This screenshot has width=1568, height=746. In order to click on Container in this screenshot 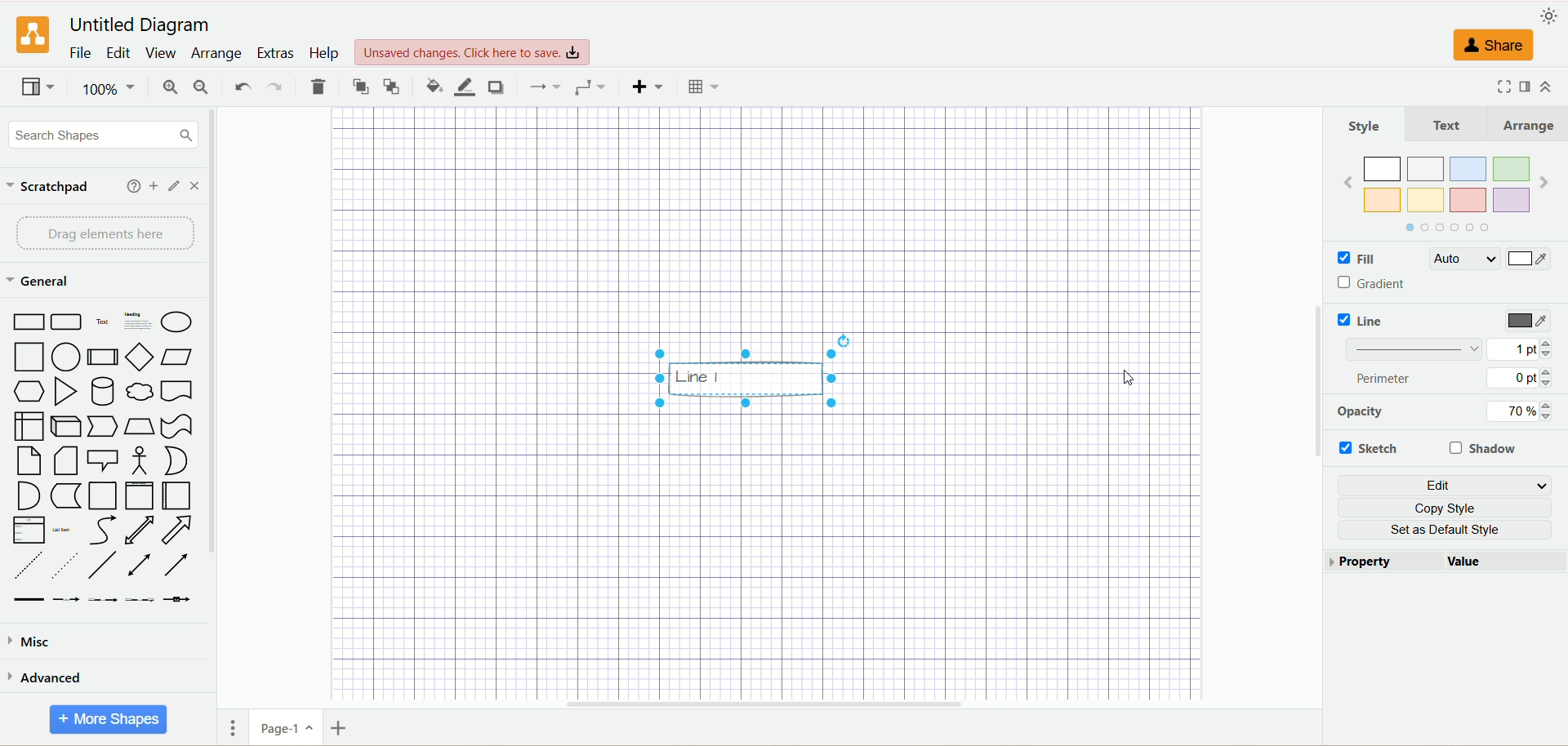, I will do `click(103, 496)`.